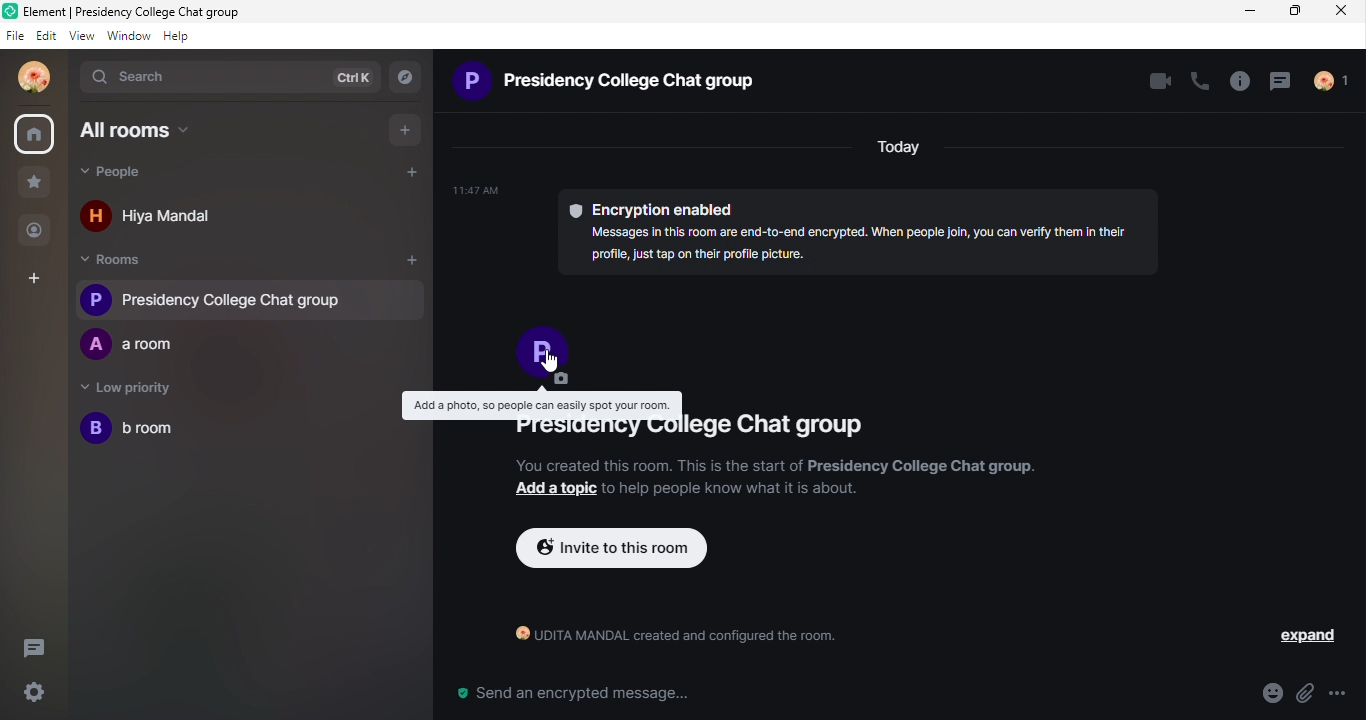 Image resolution: width=1366 pixels, height=720 pixels. I want to click on people, so click(36, 233).